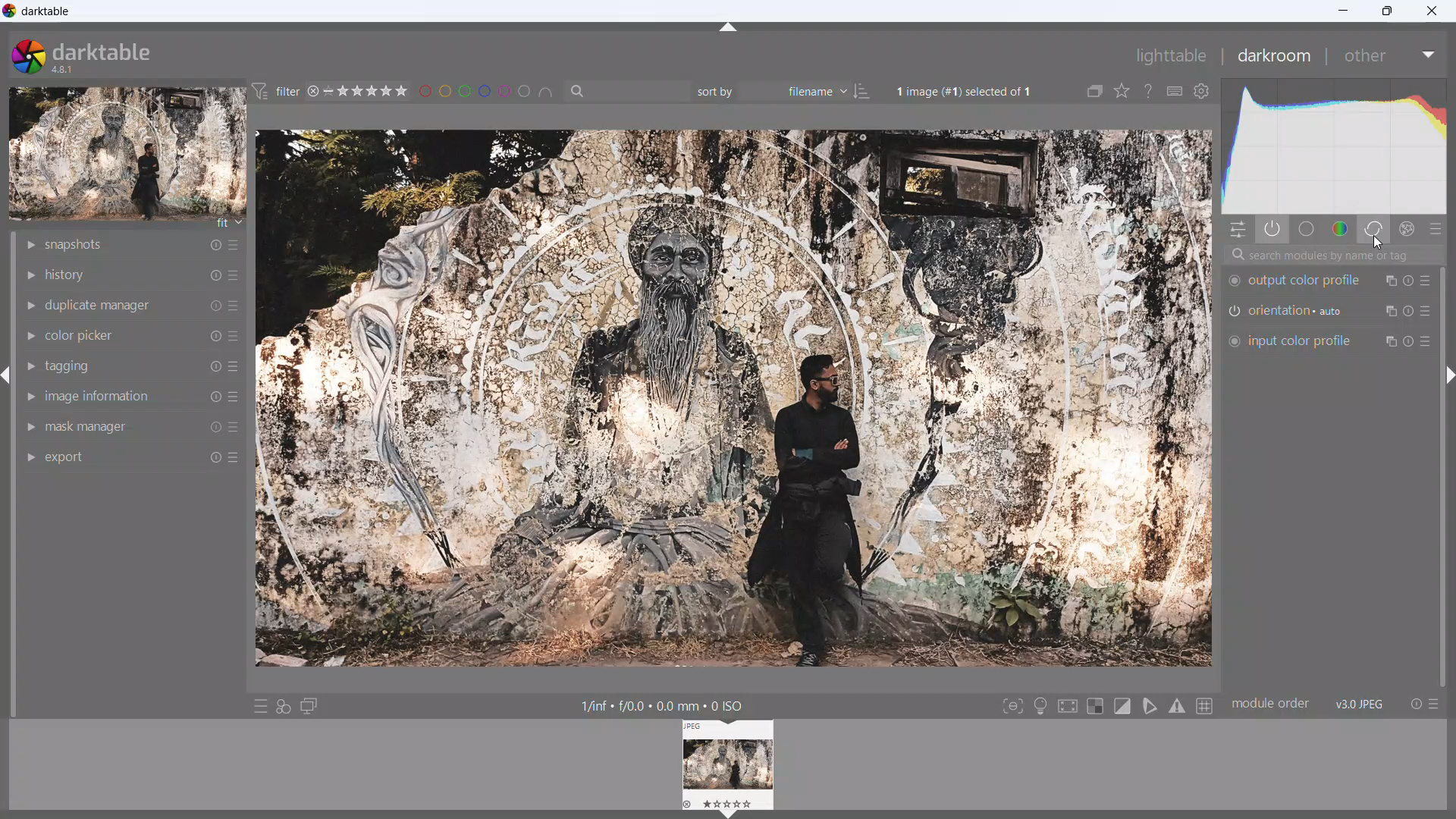  What do you see at coordinates (45, 11) in the screenshot?
I see `title` at bounding box center [45, 11].